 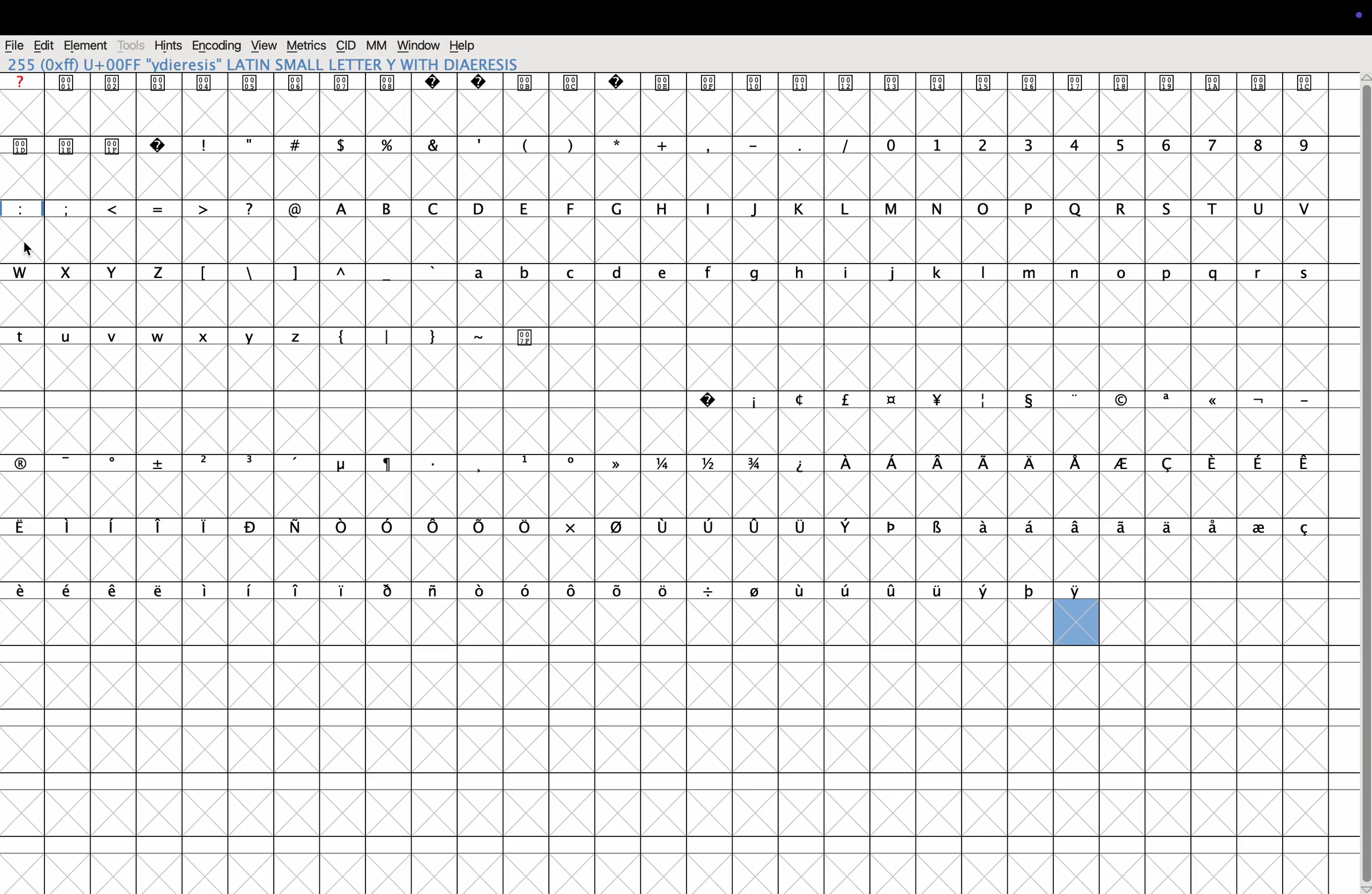 I want to click on help, so click(x=469, y=46).